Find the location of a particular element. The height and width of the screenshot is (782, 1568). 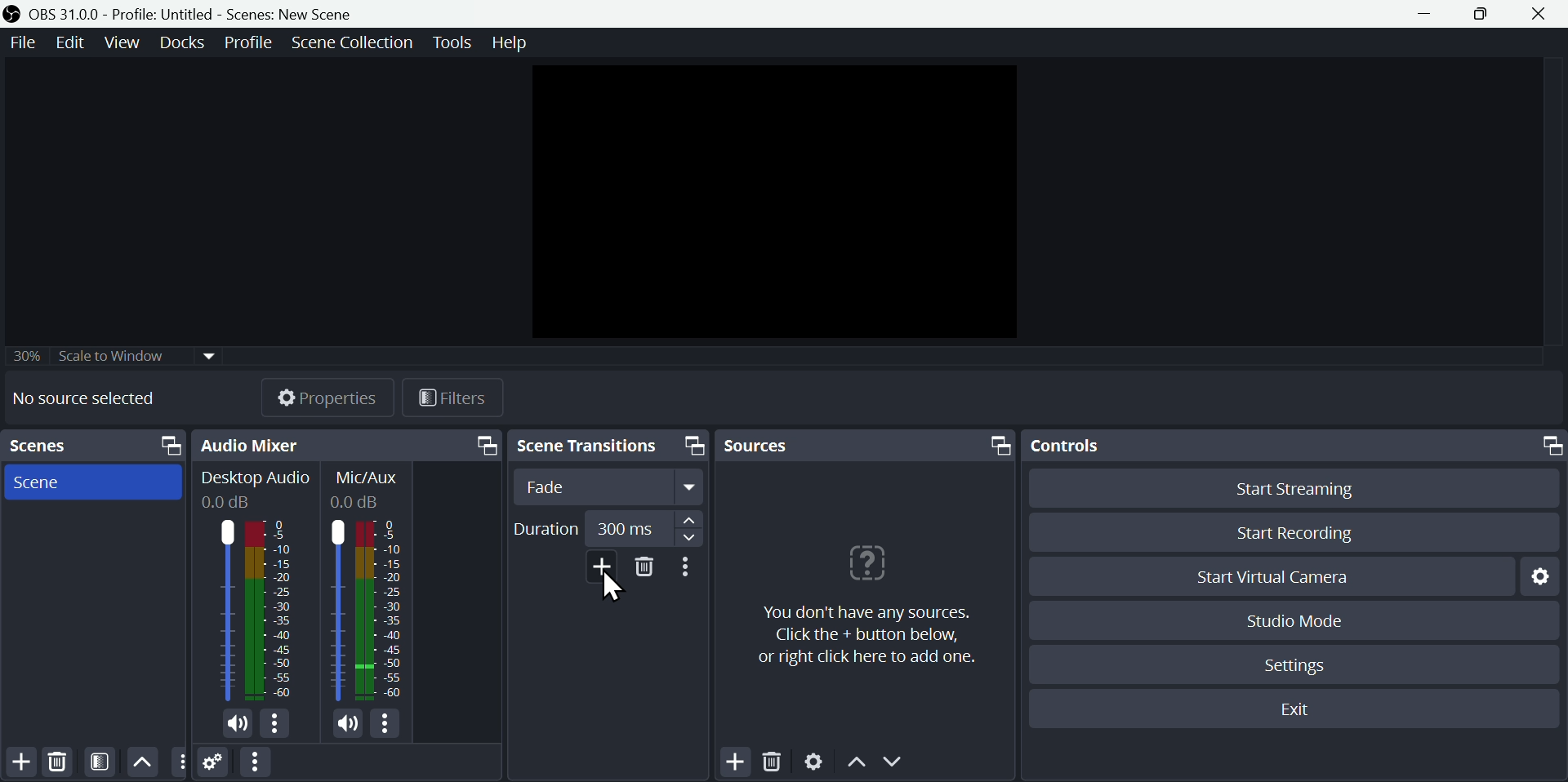

Filters is located at coordinates (465, 400).